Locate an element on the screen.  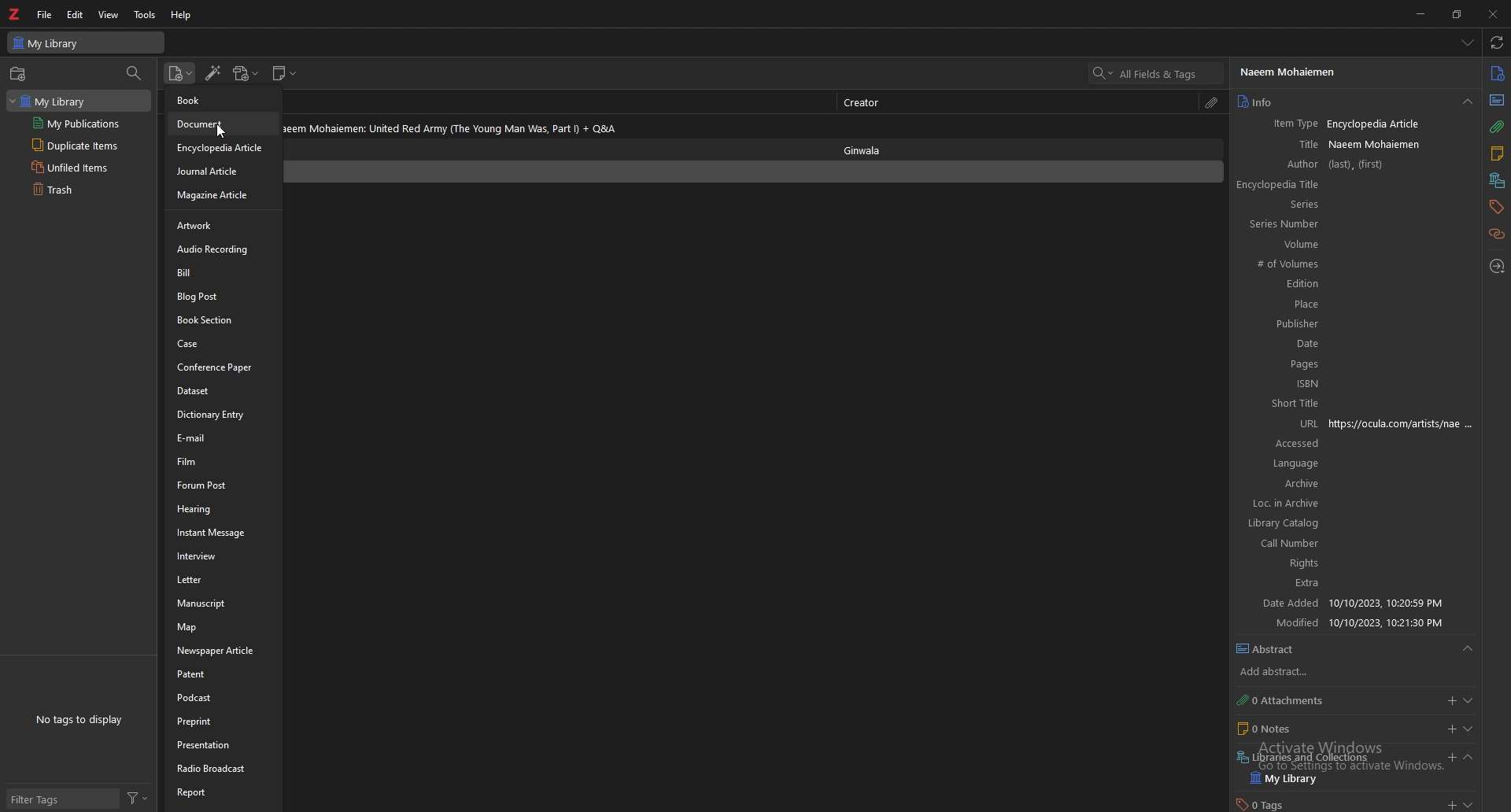
case is located at coordinates (223, 344).